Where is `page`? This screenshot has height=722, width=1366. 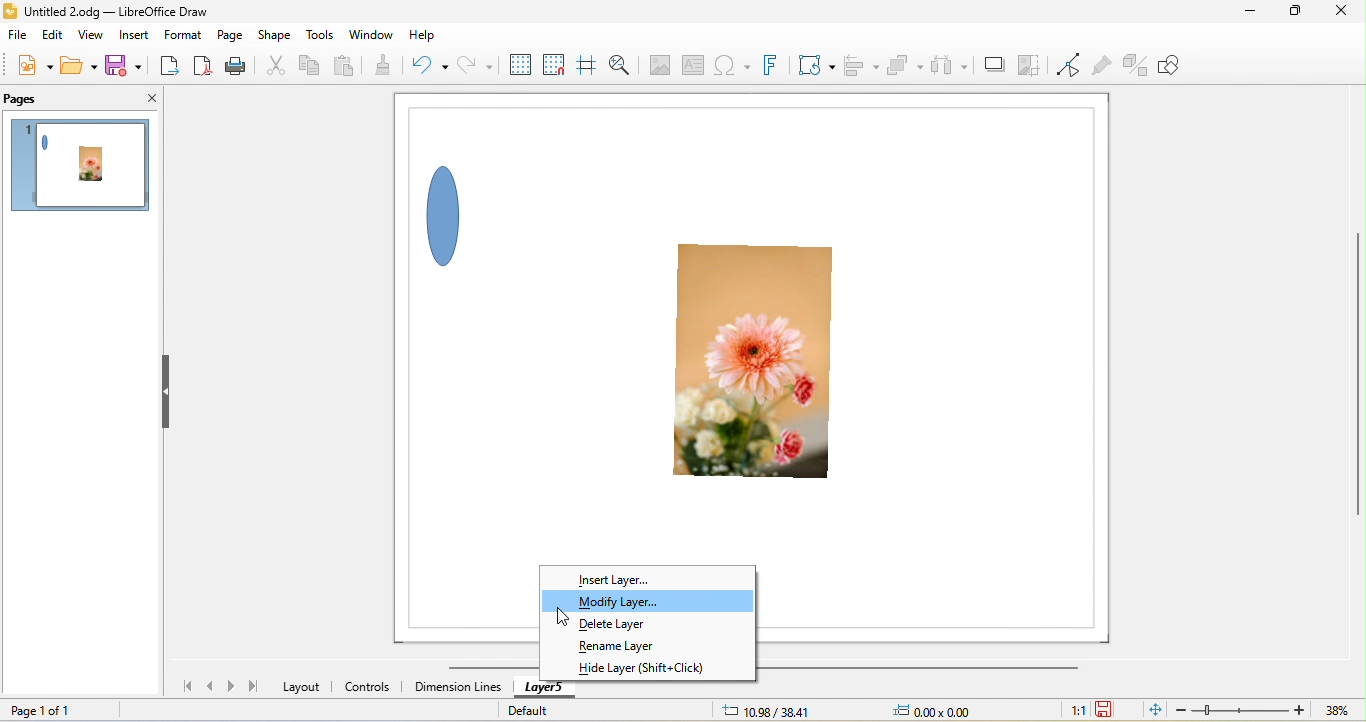
page is located at coordinates (233, 35).